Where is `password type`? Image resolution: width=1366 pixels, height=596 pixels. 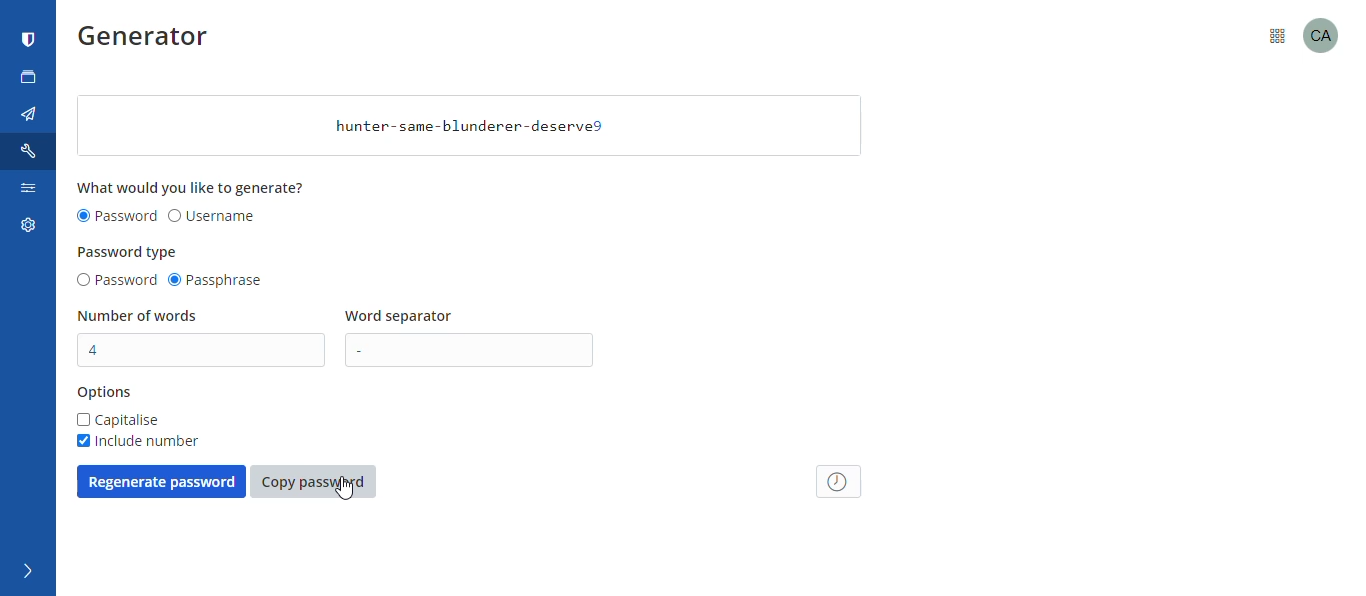
password type is located at coordinates (129, 252).